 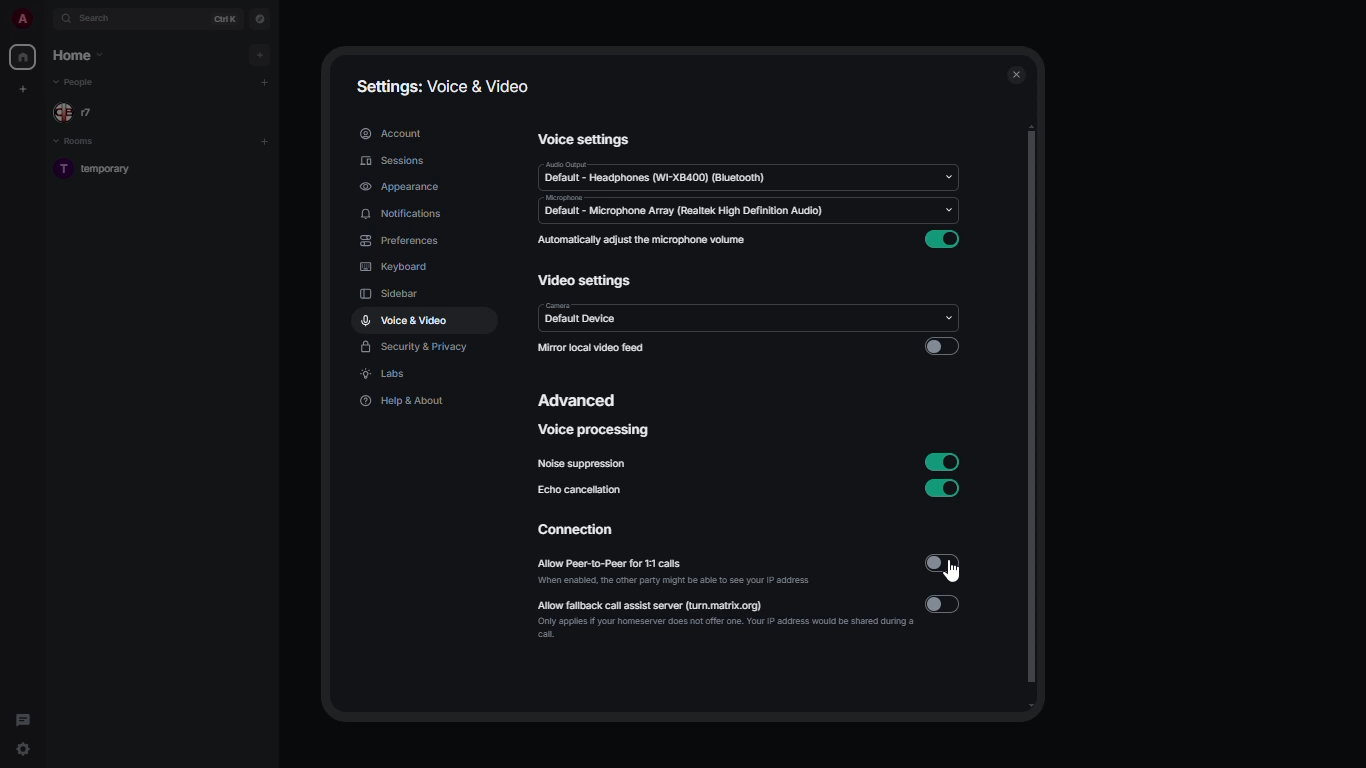 I want to click on add, so click(x=262, y=54).